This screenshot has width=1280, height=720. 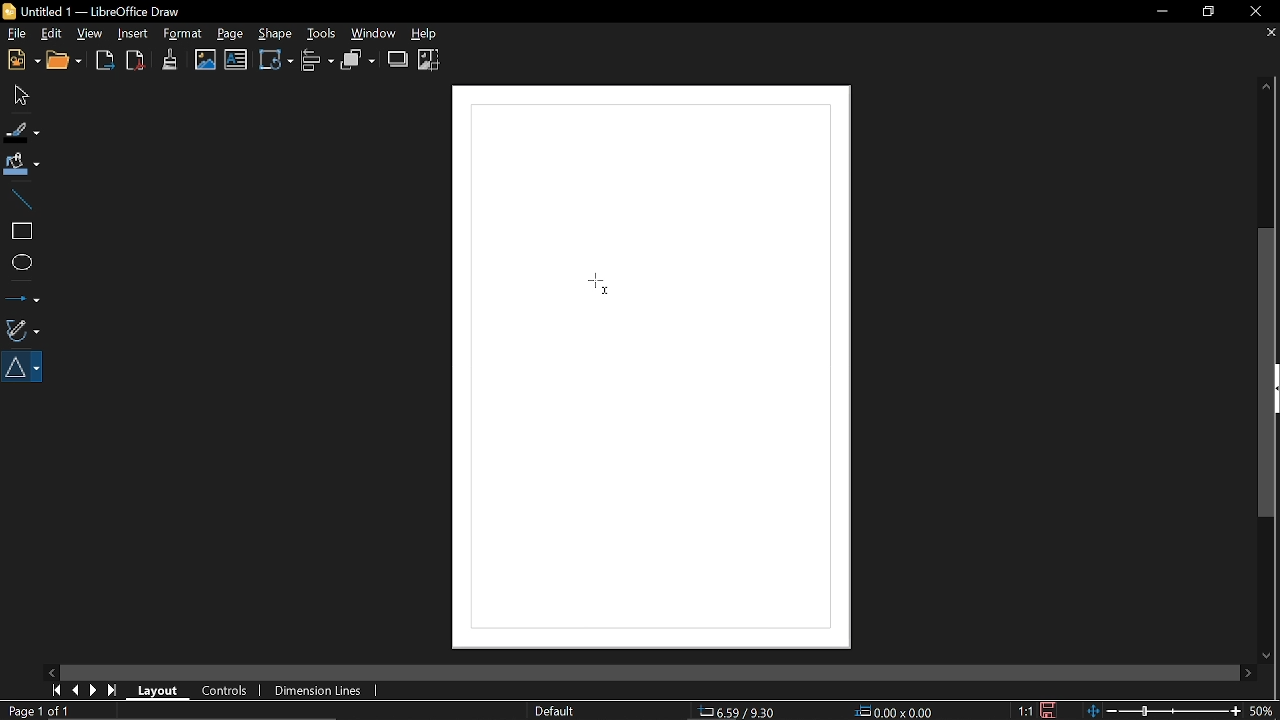 I want to click on Insert, so click(x=133, y=34).